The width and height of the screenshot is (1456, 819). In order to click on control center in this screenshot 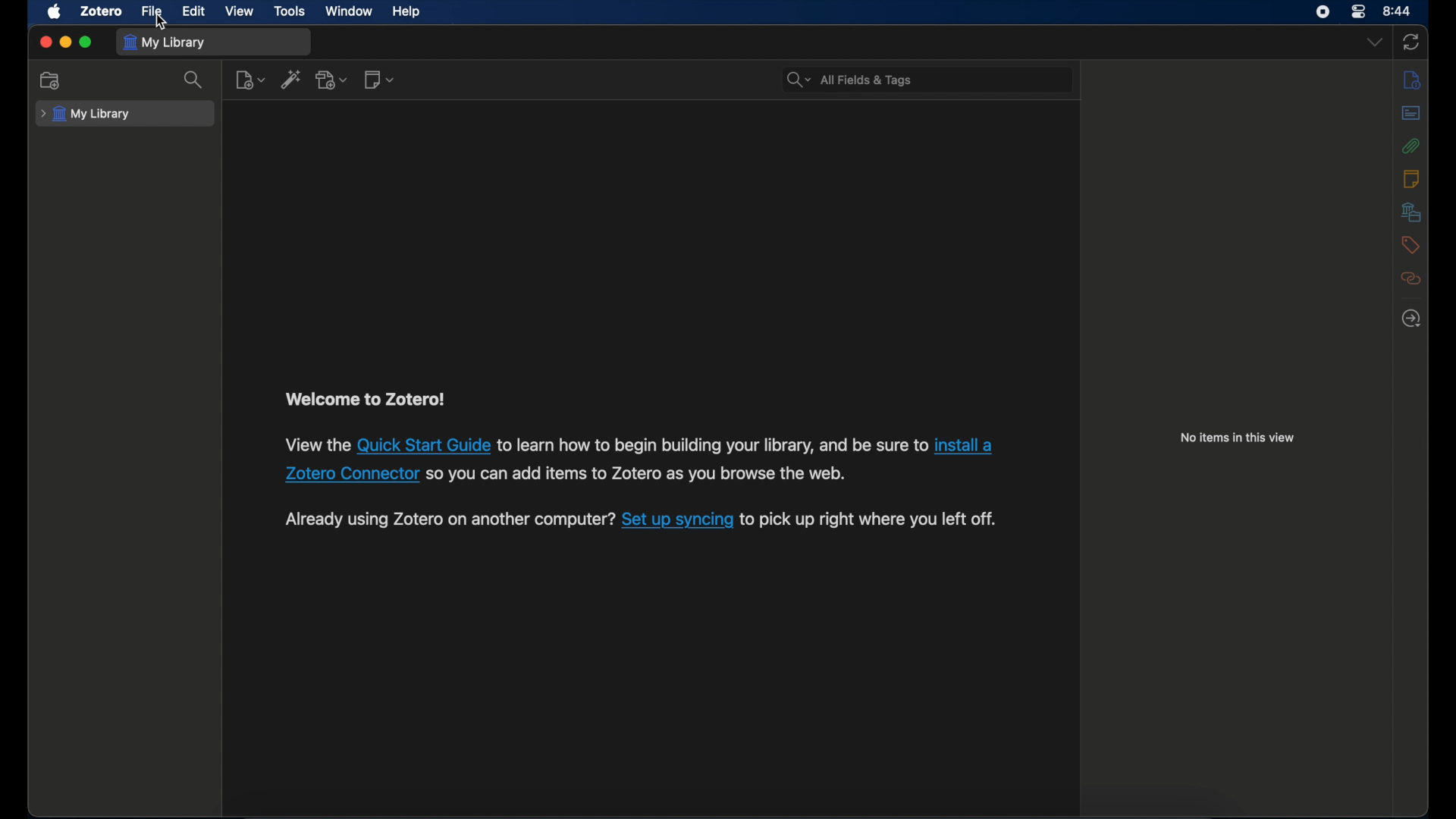, I will do `click(1360, 12)`.